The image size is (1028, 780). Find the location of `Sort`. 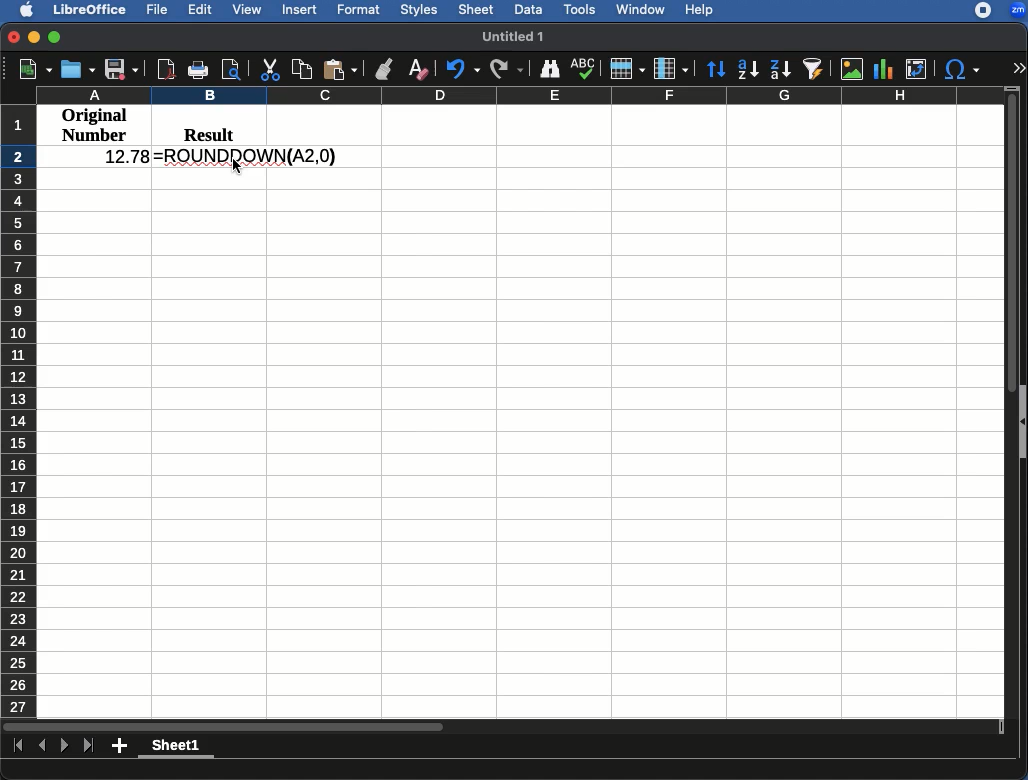

Sort is located at coordinates (714, 70).